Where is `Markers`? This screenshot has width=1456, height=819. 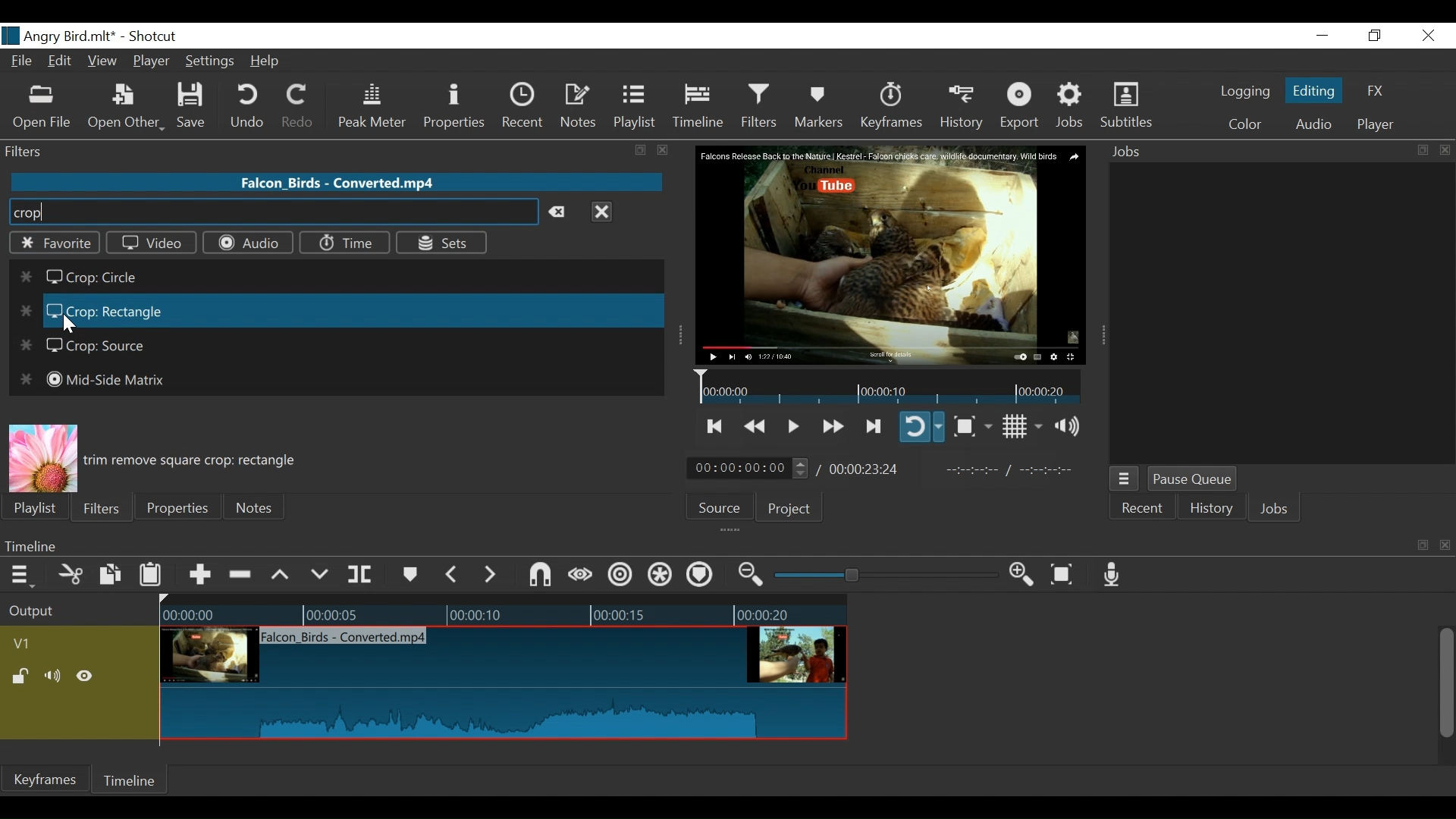 Markers is located at coordinates (818, 106).